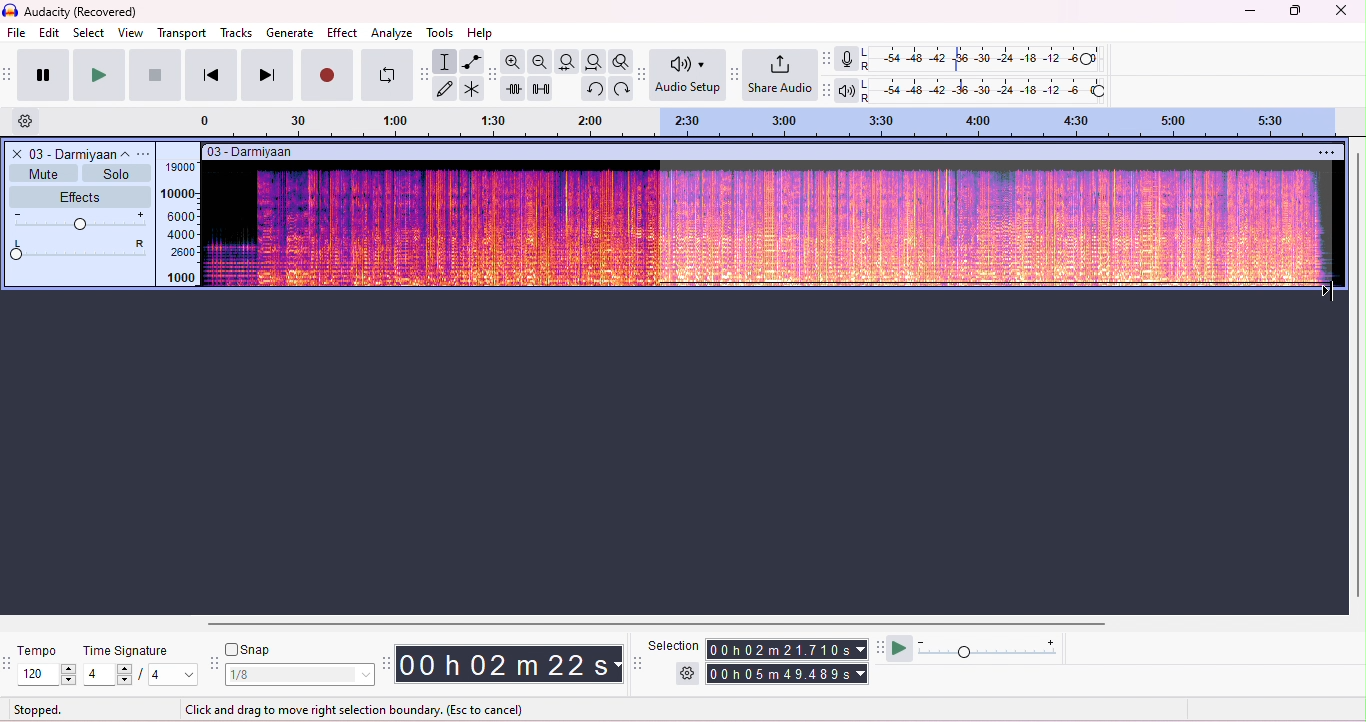  What do you see at coordinates (90, 32) in the screenshot?
I see `select` at bounding box center [90, 32].